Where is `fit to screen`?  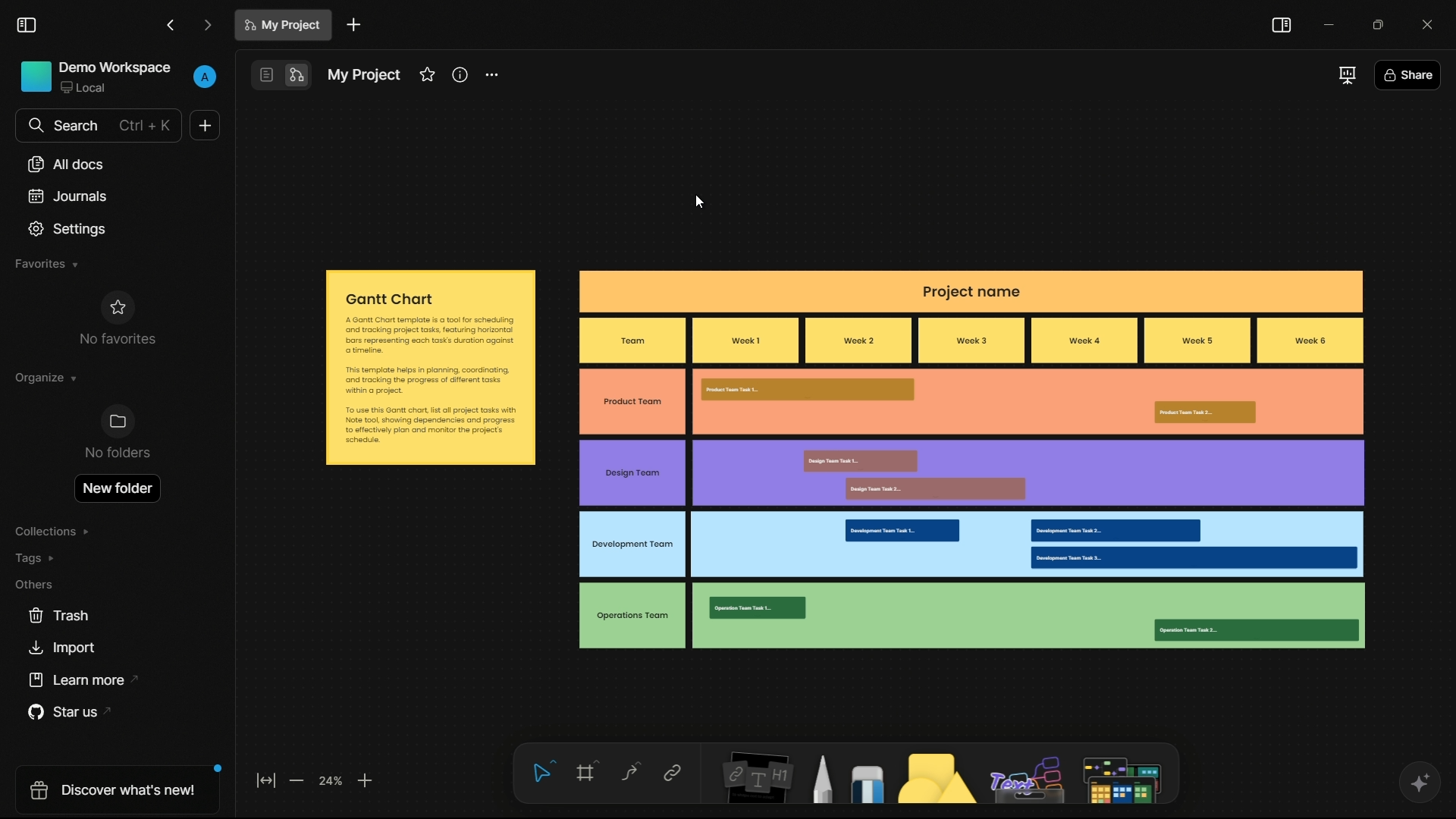 fit to screen is located at coordinates (265, 783).